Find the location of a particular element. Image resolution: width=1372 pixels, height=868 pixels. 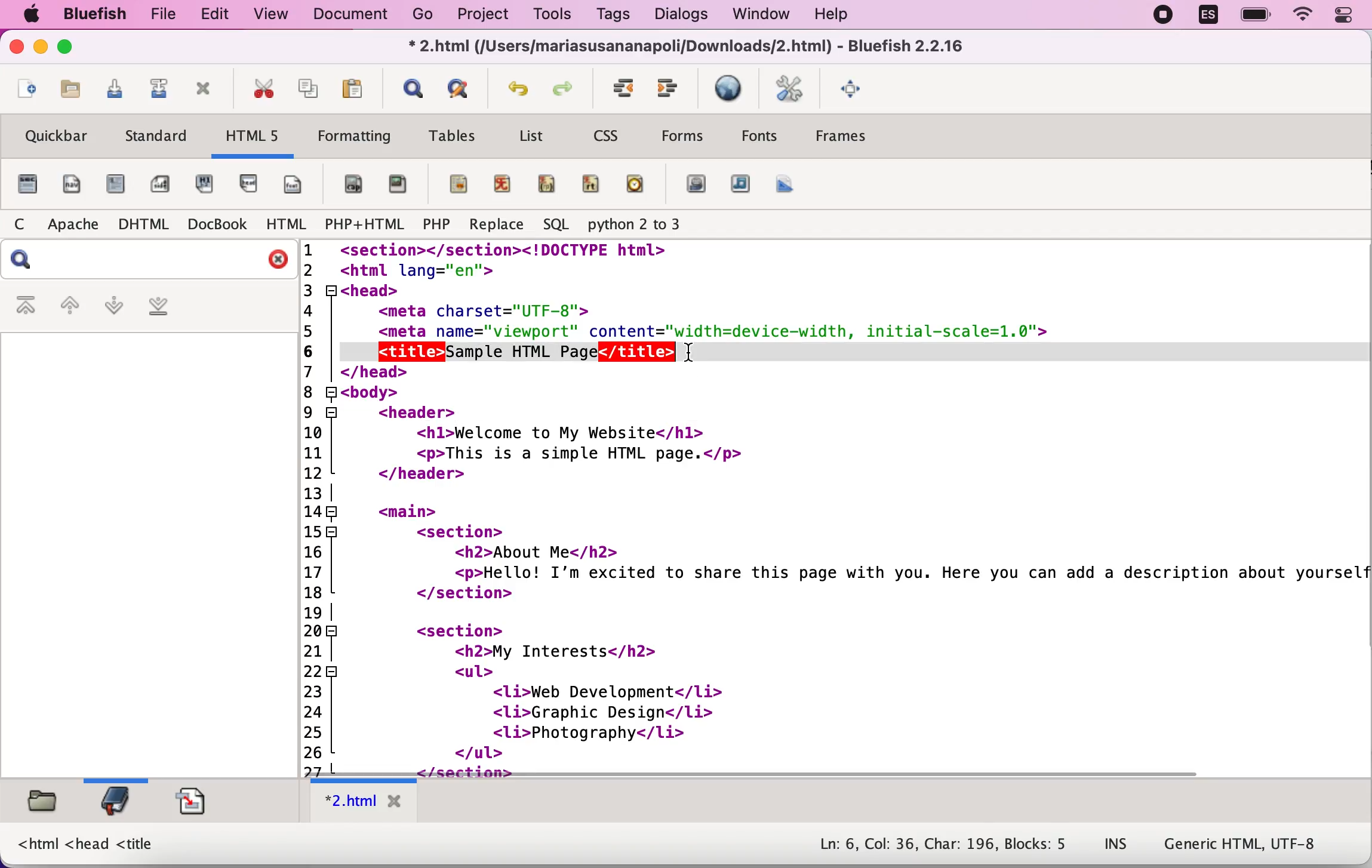

quickbar is located at coordinates (57, 136).